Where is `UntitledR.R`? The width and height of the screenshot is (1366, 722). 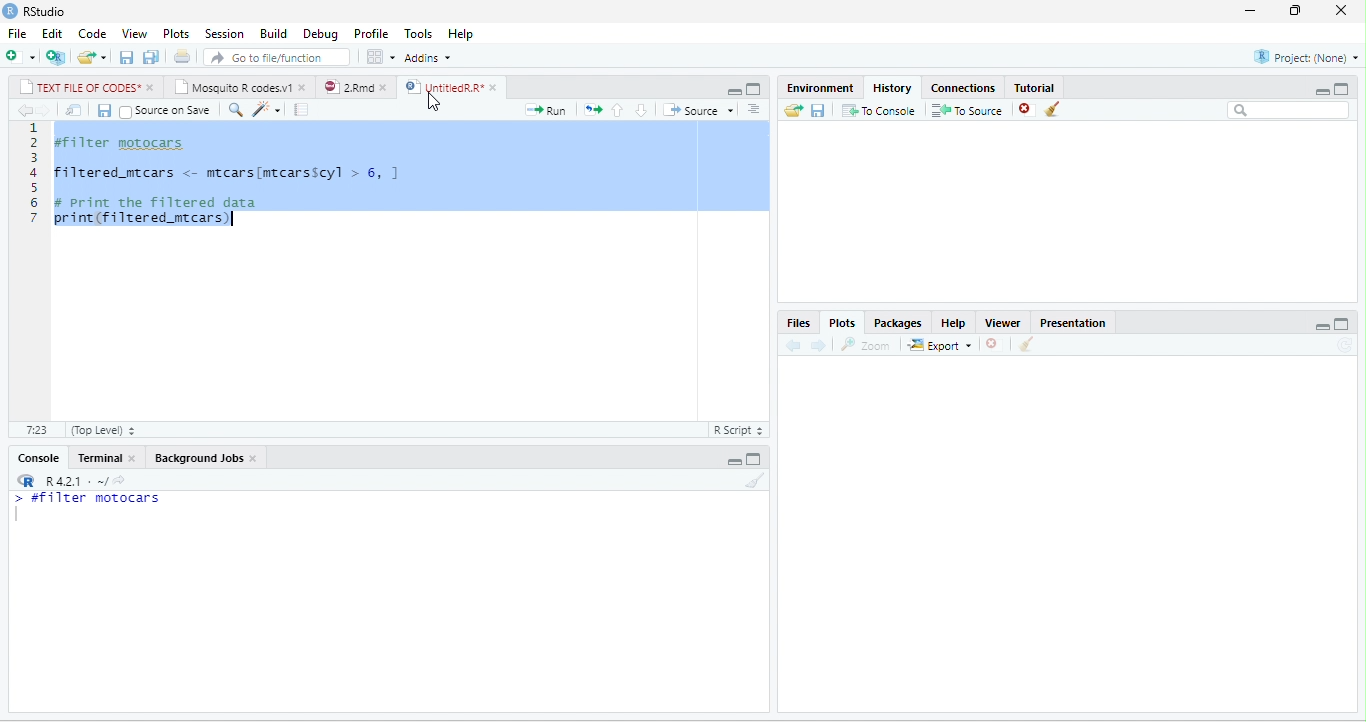 UntitledR.R is located at coordinates (441, 87).